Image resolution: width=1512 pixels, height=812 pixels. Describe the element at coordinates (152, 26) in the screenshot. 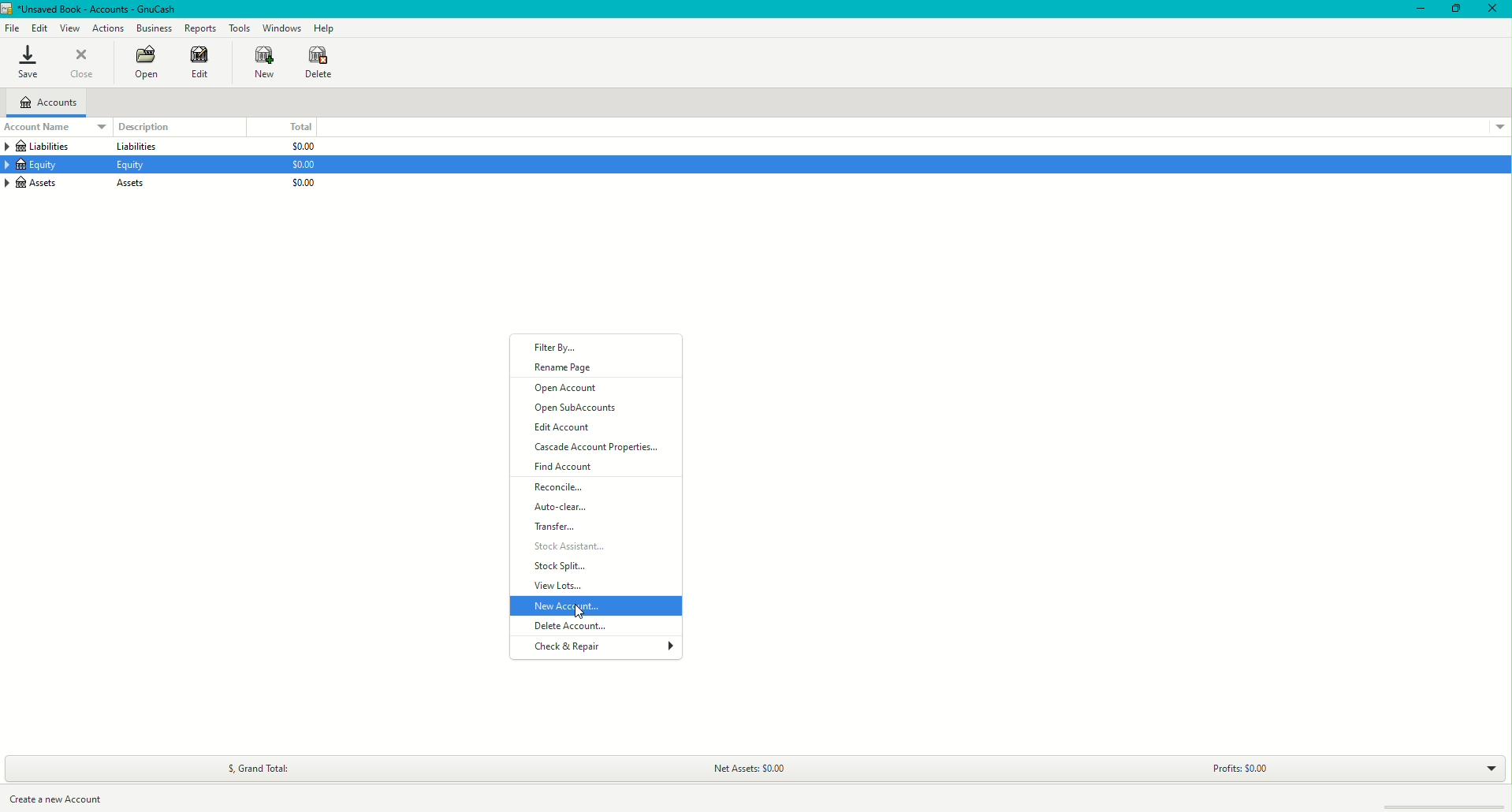

I see `Business` at that location.